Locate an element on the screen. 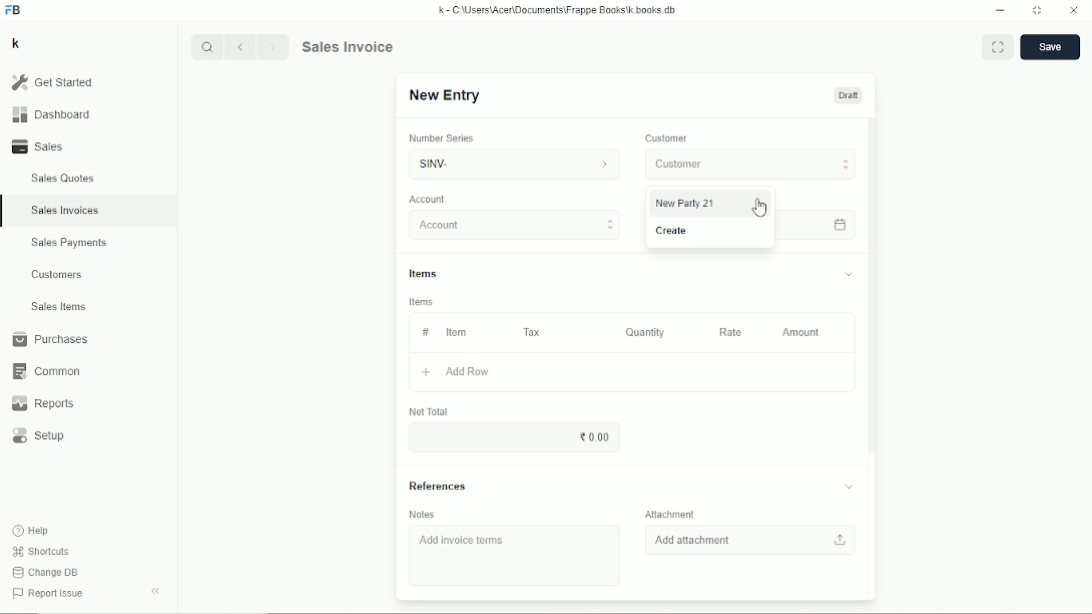 The image size is (1092, 614). Sales items is located at coordinates (58, 307).